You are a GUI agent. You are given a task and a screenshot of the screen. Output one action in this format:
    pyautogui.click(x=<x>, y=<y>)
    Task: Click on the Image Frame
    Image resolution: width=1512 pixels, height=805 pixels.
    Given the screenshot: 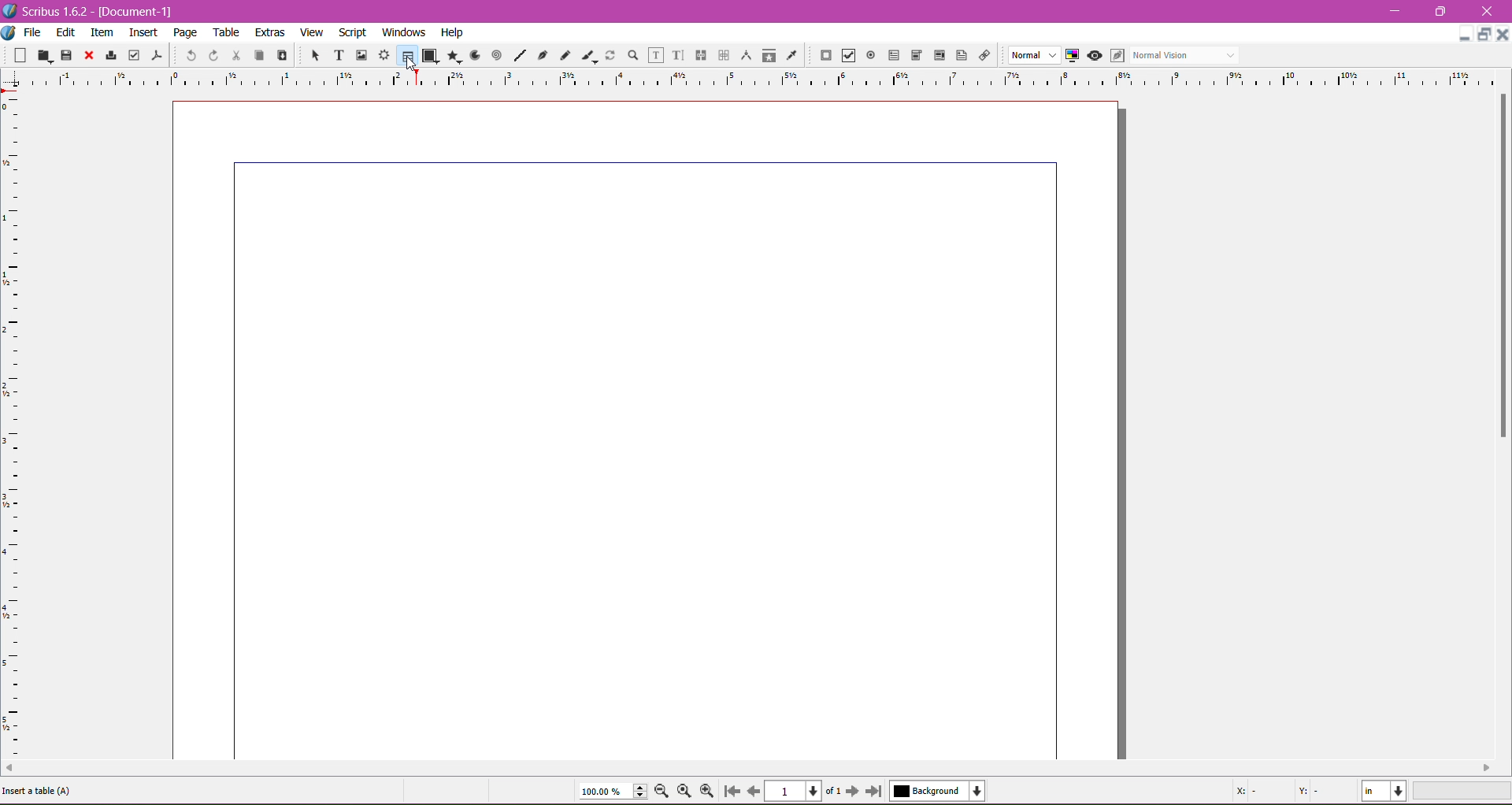 What is the action you would take?
    pyautogui.click(x=359, y=54)
    